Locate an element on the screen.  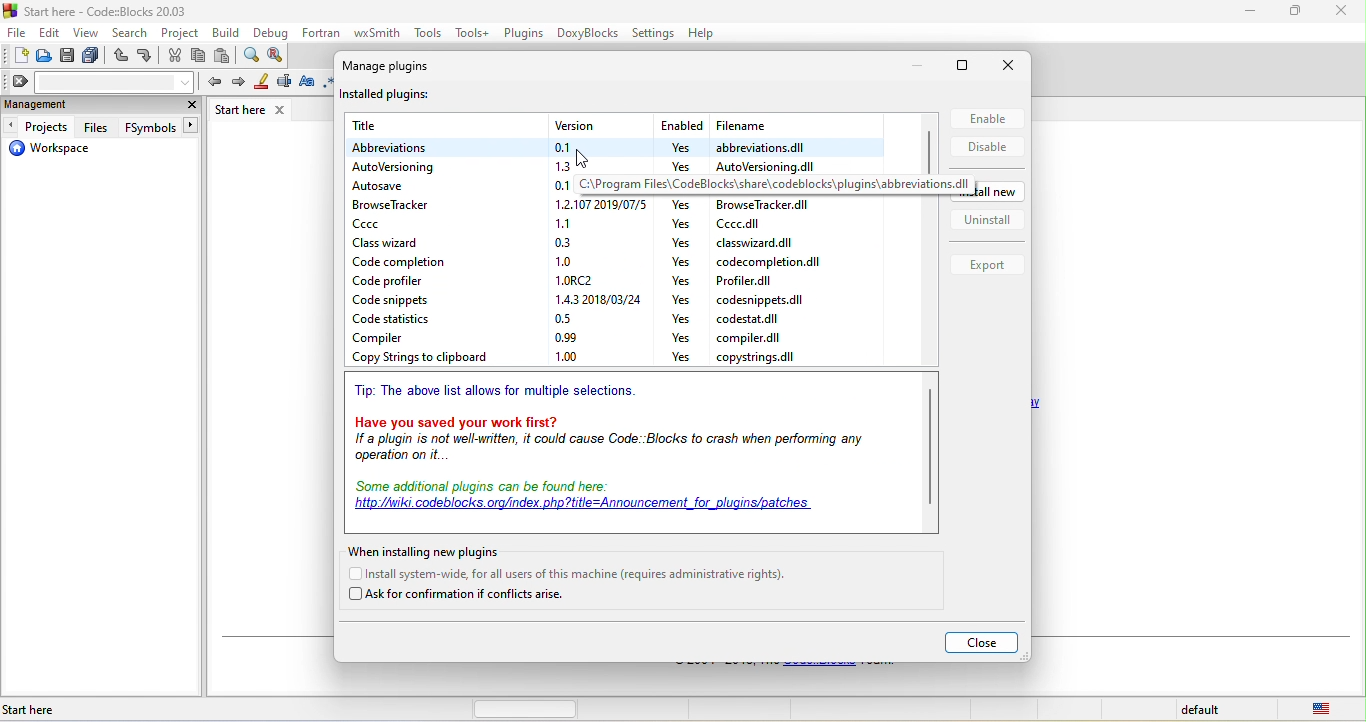
yes is located at coordinates (680, 281).